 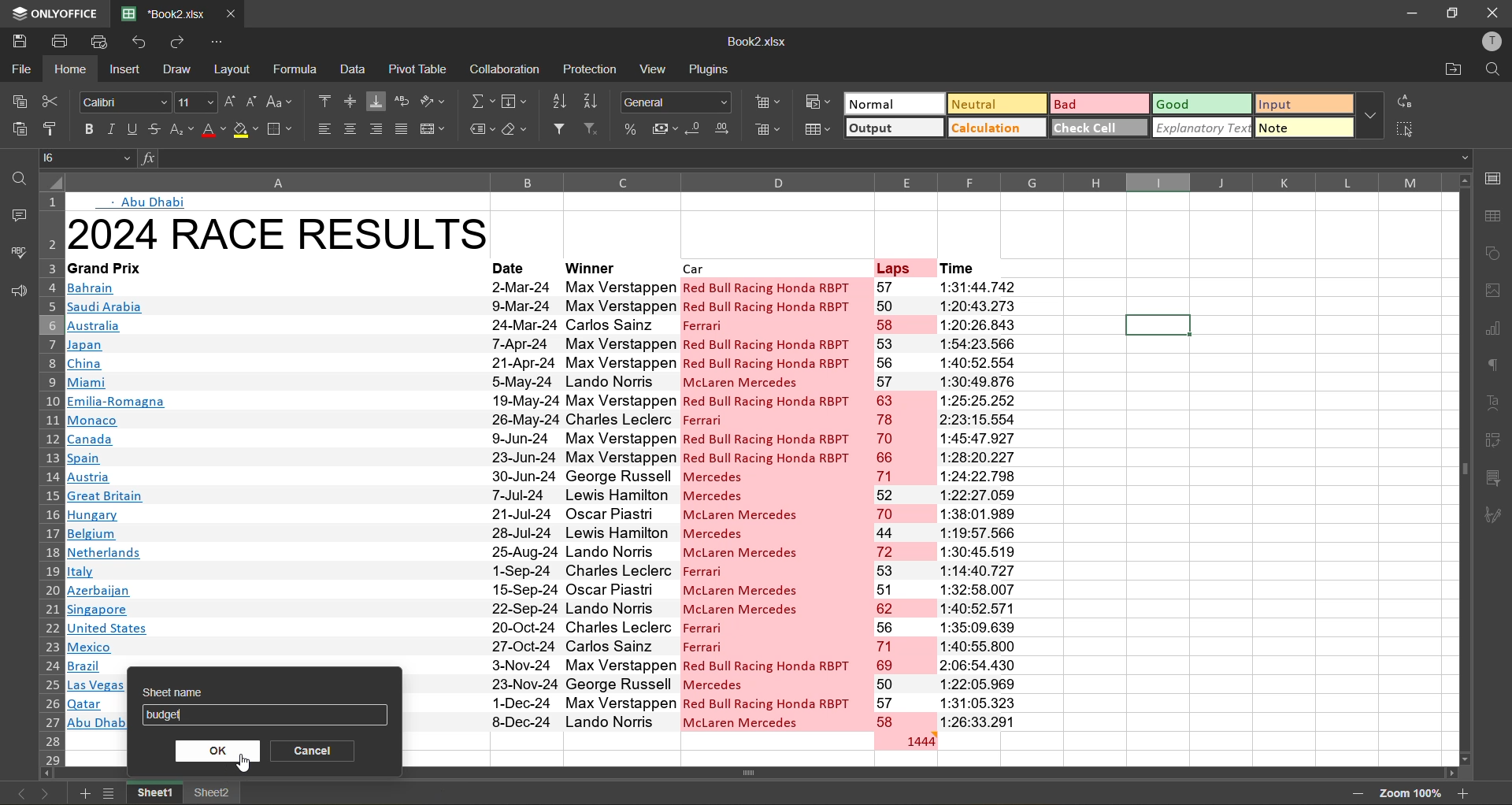 I want to click on align center, so click(x=350, y=127).